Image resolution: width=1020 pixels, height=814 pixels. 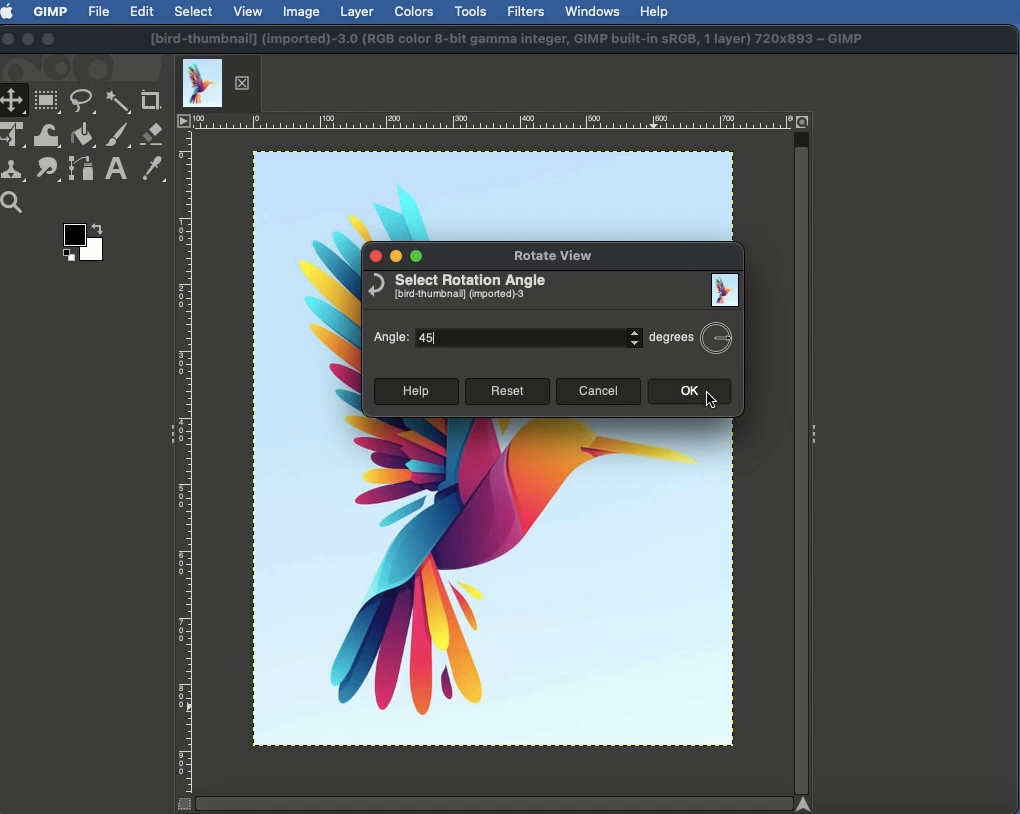 I want to click on View, so click(x=249, y=10).